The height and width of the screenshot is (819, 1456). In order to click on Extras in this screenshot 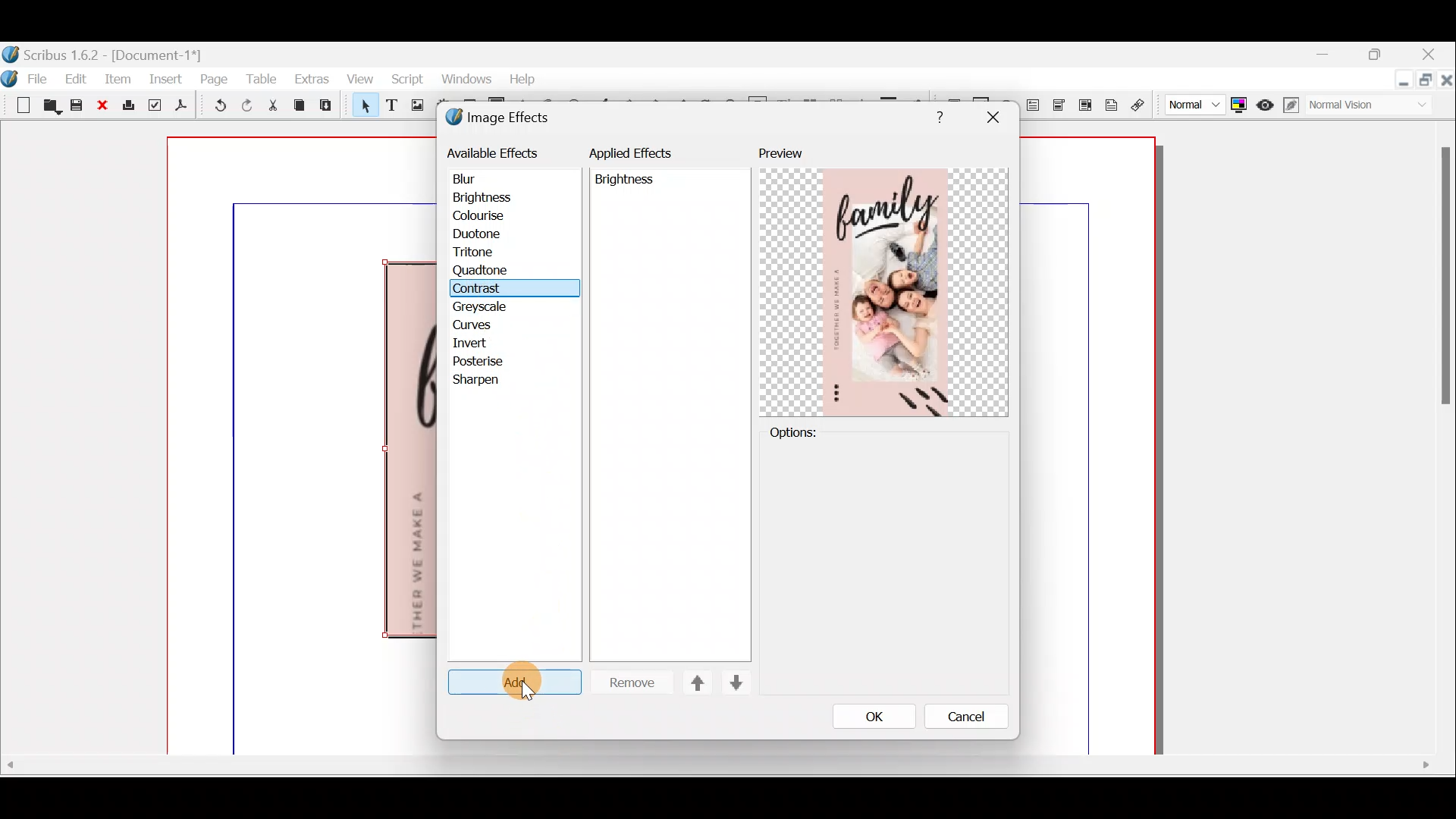, I will do `click(311, 78)`.